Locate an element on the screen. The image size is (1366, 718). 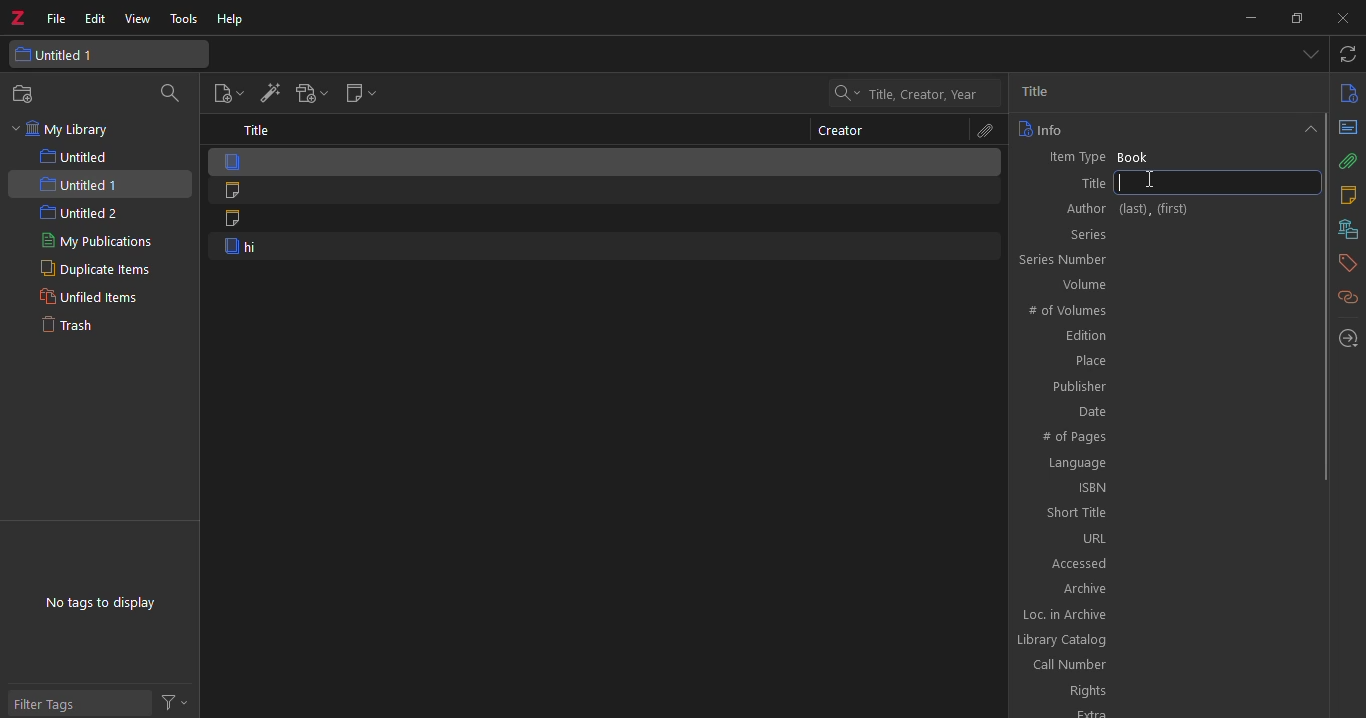
library is located at coordinates (1345, 229).